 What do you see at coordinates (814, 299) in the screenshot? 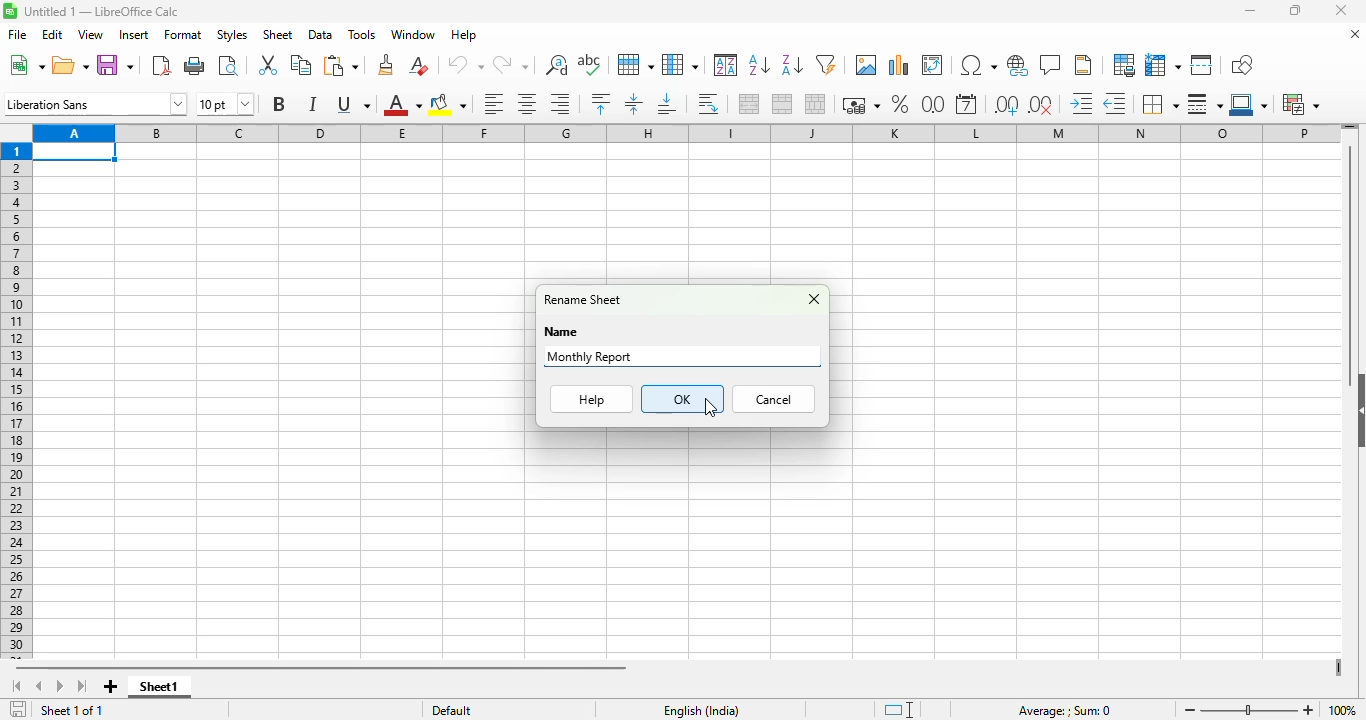
I see `close` at bounding box center [814, 299].